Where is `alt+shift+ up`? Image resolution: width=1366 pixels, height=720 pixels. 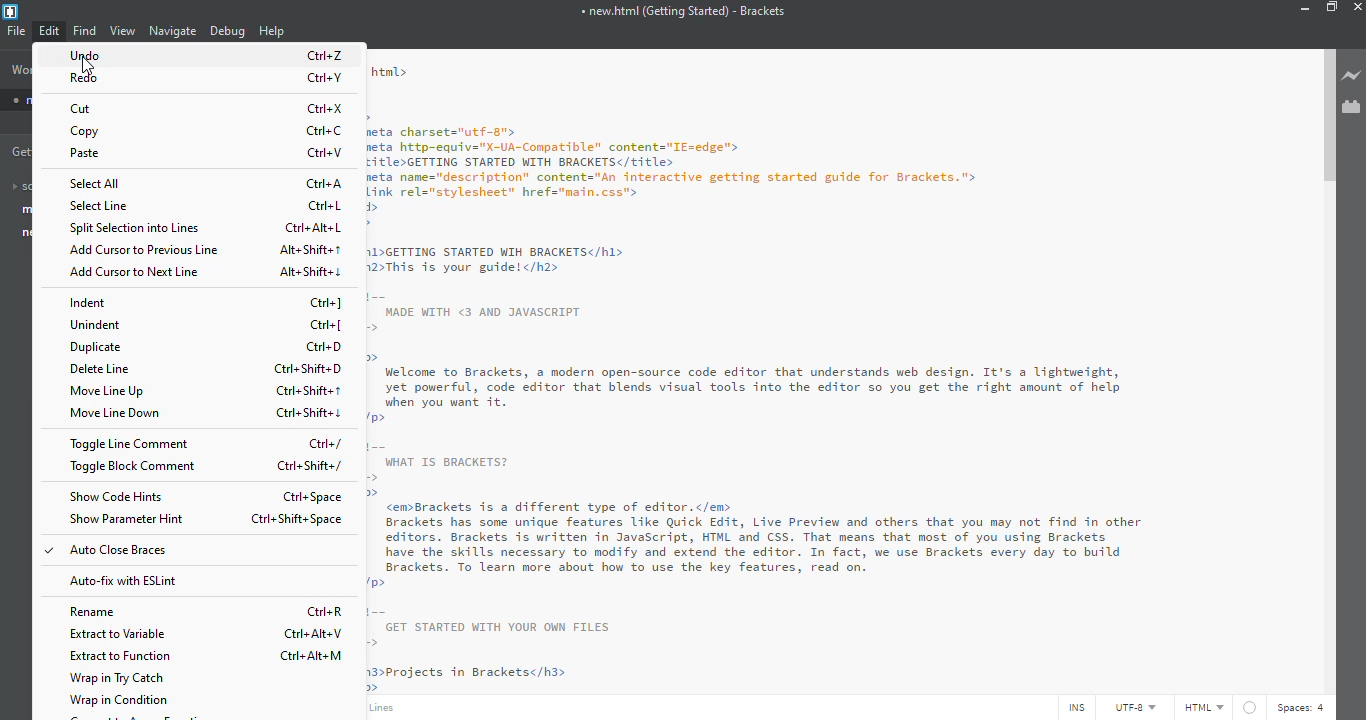
alt+shift+ up is located at coordinates (307, 251).